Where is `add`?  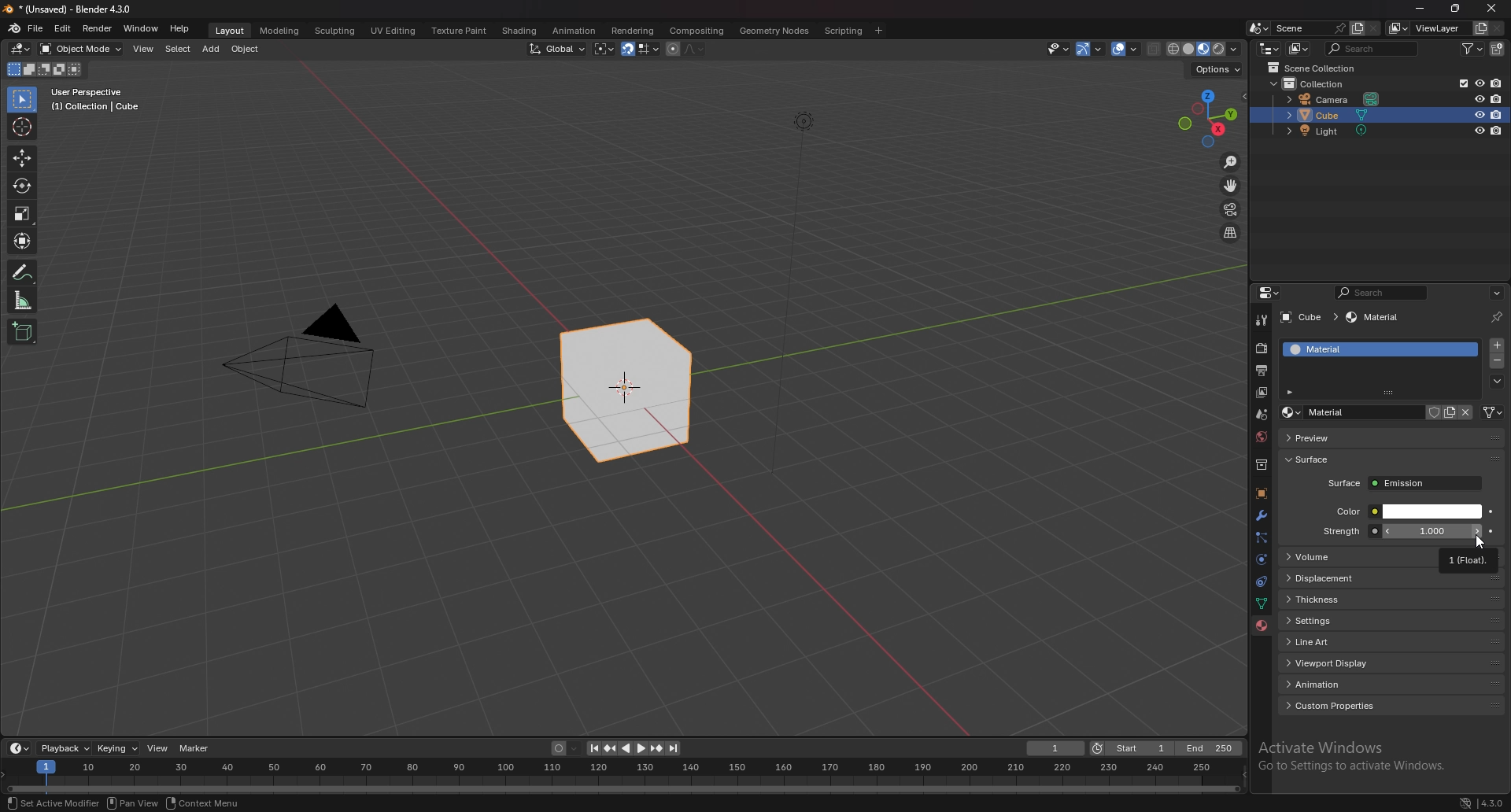 add is located at coordinates (212, 49).